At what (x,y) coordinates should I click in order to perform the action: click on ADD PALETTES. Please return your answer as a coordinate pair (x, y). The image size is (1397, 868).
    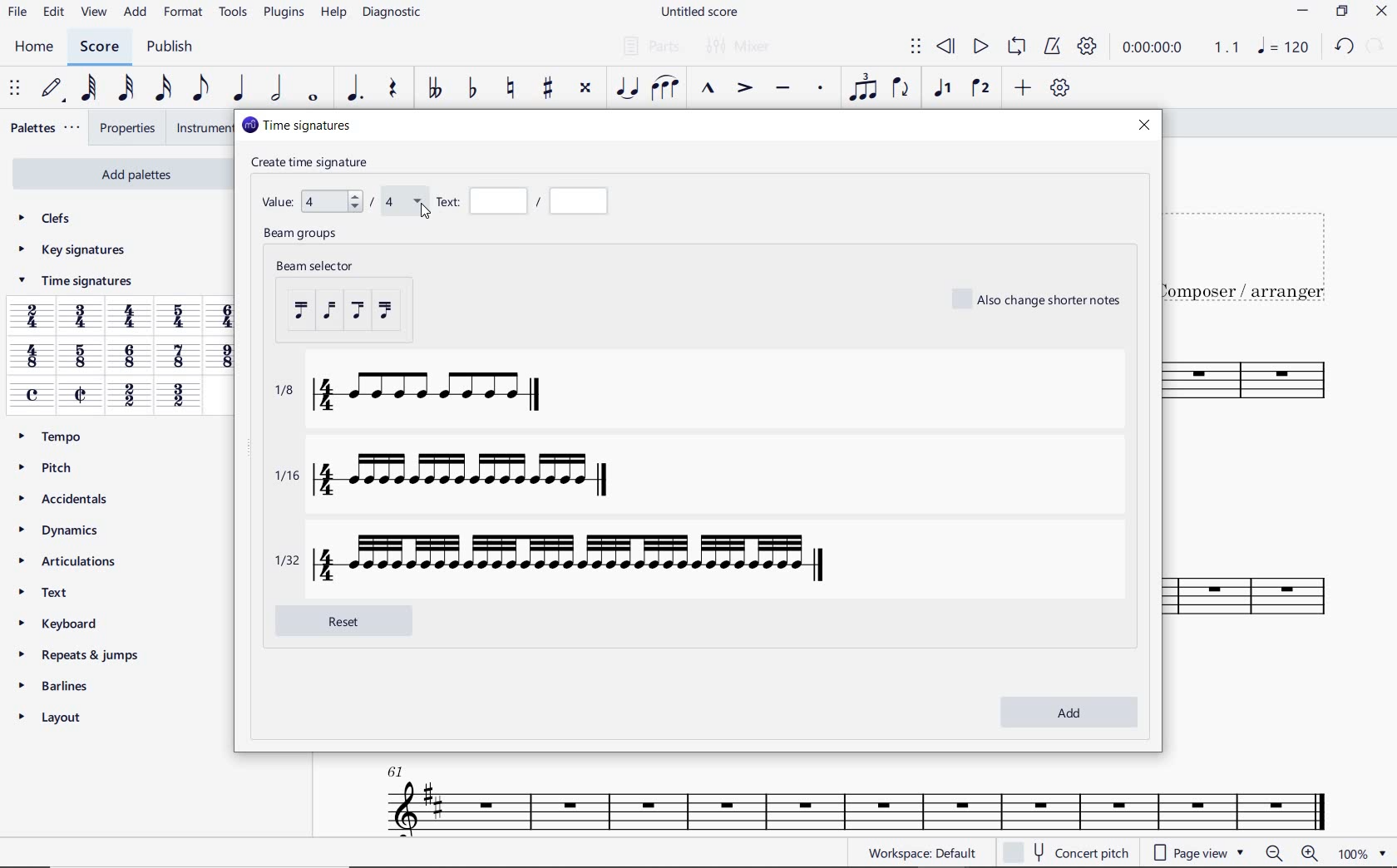
    Looking at the image, I should click on (120, 175).